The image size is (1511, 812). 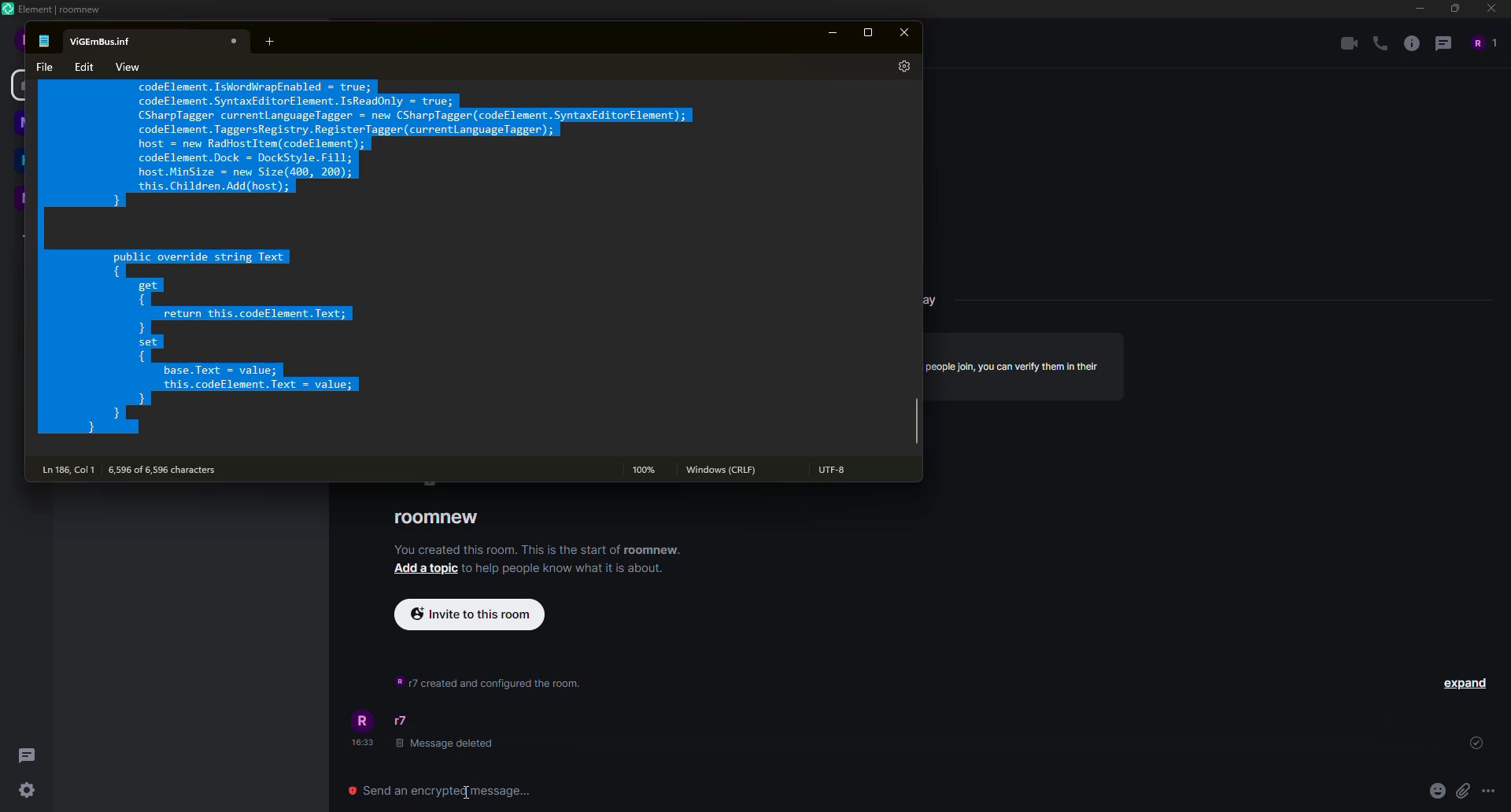 I want to click on threads, so click(x=25, y=754).